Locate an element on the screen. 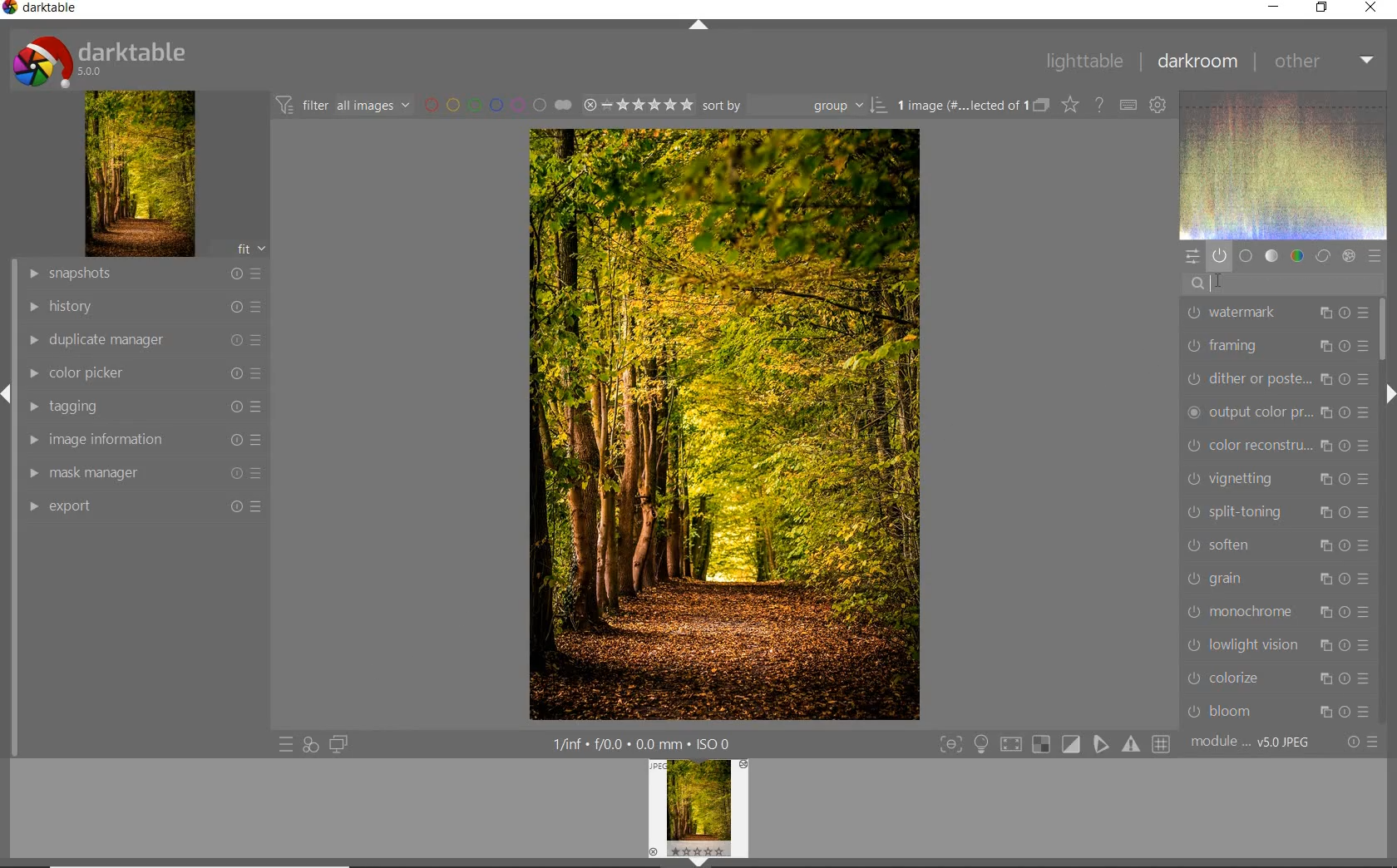 The width and height of the screenshot is (1397, 868). lighttable is located at coordinates (1084, 62).